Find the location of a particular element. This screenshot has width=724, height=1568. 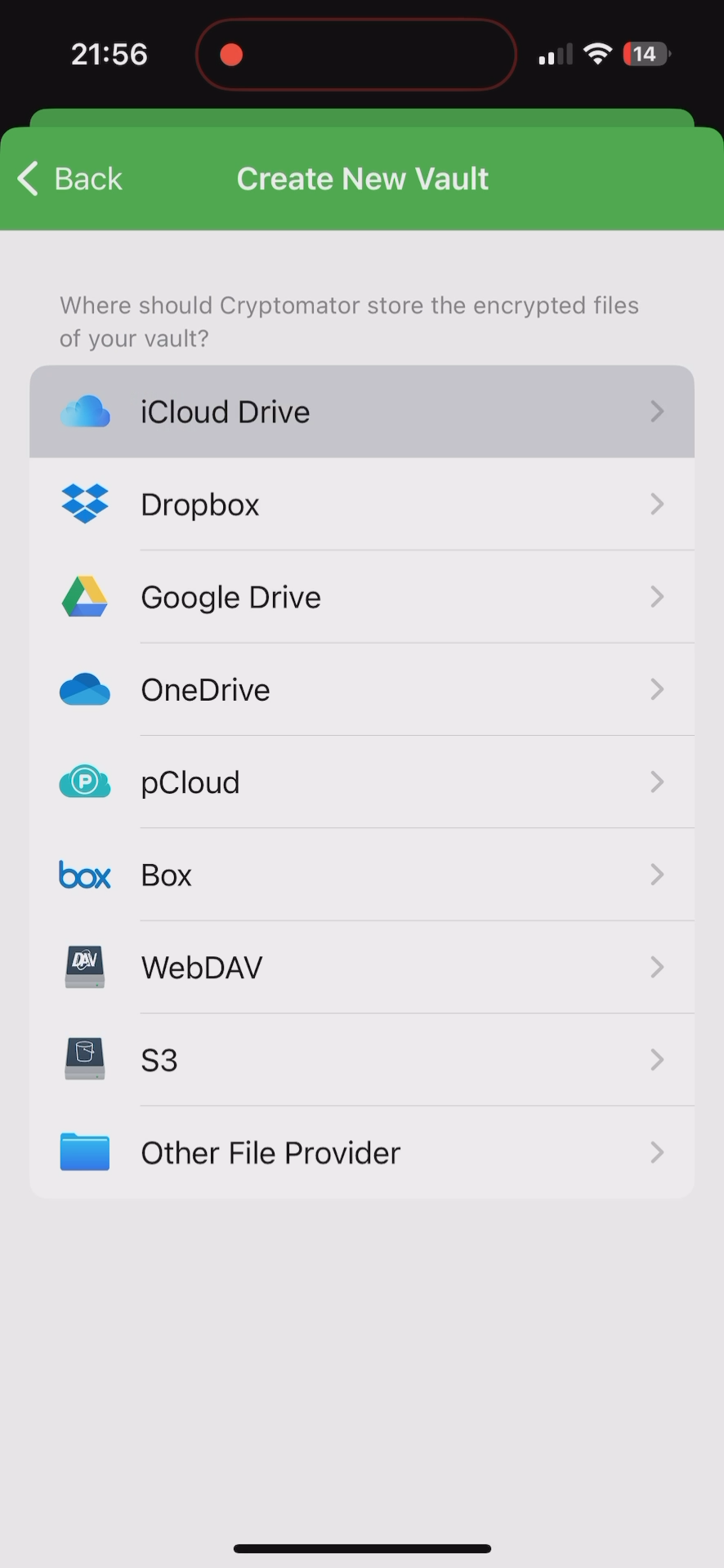

box is located at coordinates (364, 878).